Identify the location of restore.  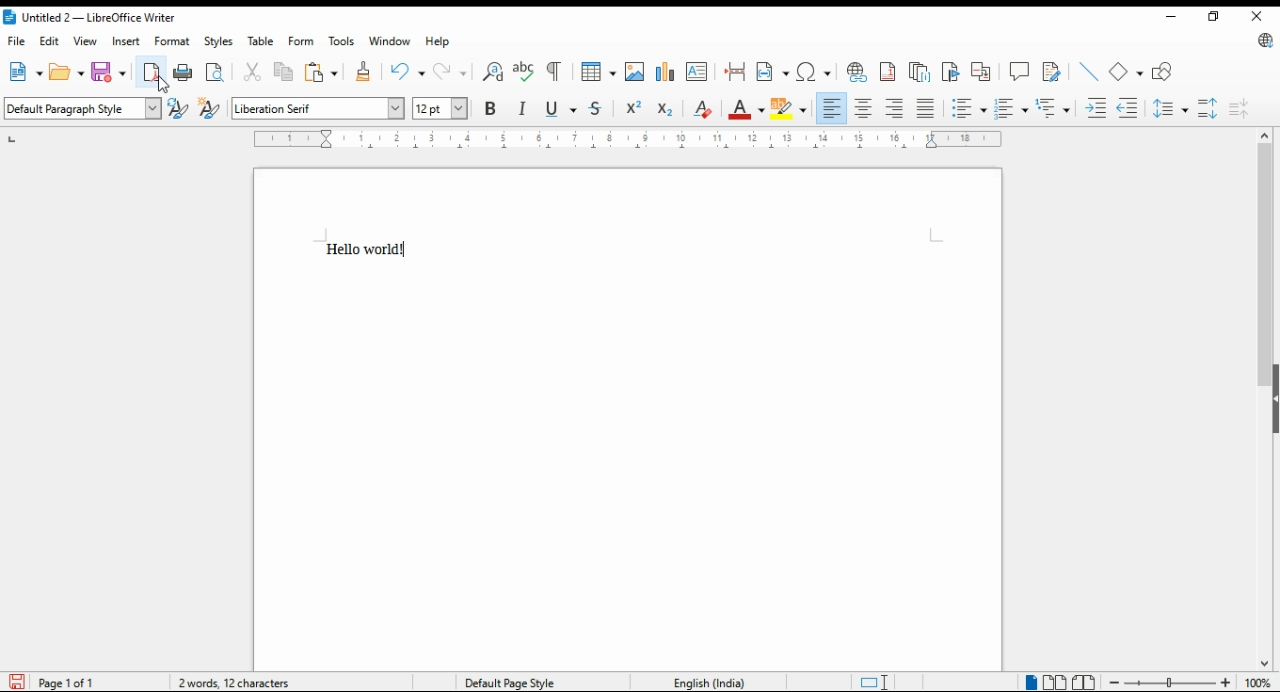
(1213, 17).